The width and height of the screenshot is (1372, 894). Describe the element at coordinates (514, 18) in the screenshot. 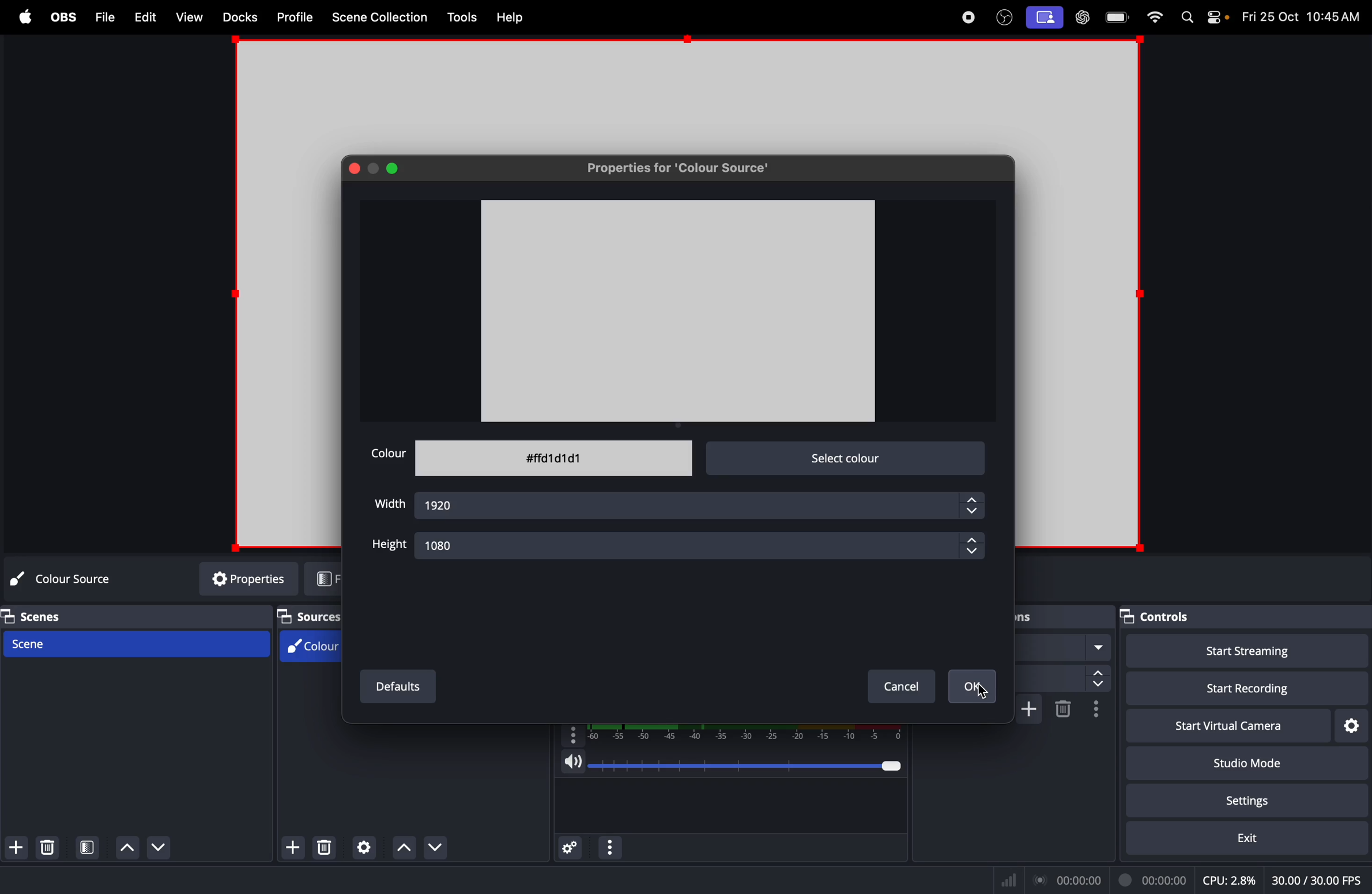

I see `help` at that location.